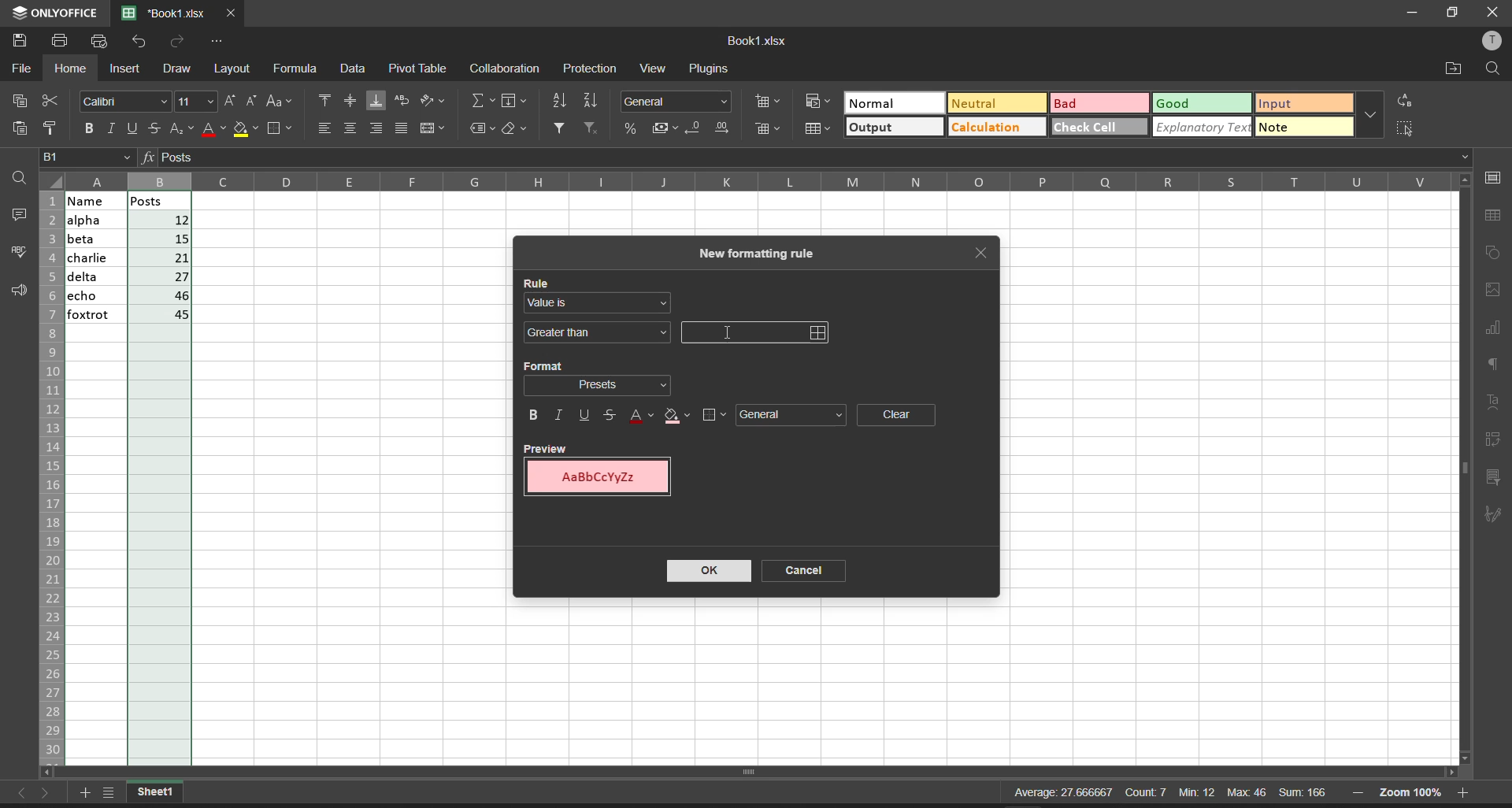  Describe the element at coordinates (1448, 773) in the screenshot. I see `scroll right` at that location.